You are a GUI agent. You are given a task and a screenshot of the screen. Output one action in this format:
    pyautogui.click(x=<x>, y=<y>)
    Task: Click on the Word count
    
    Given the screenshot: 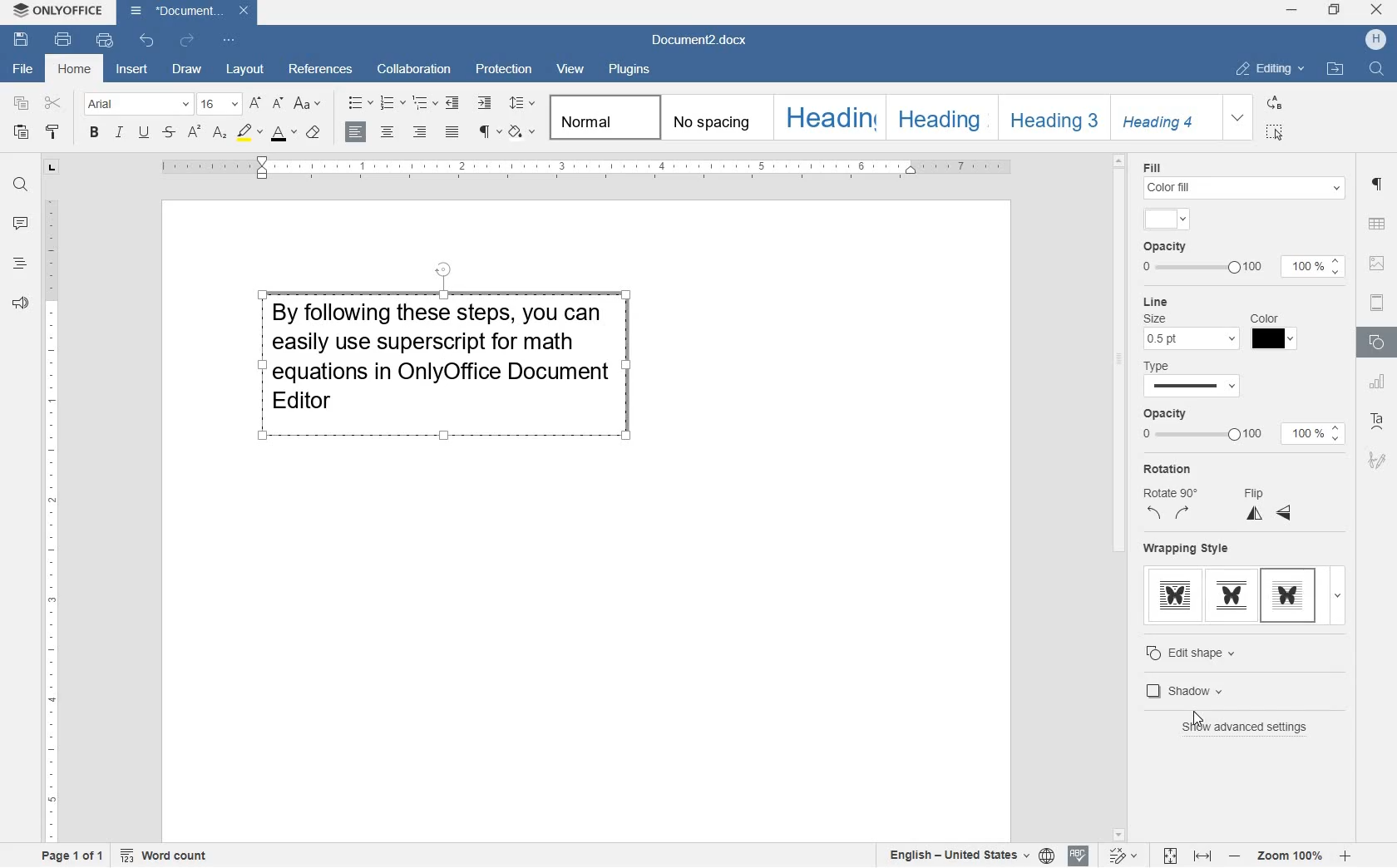 What is the action you would take?
    pyautogui.click(x=163, y=856)
    